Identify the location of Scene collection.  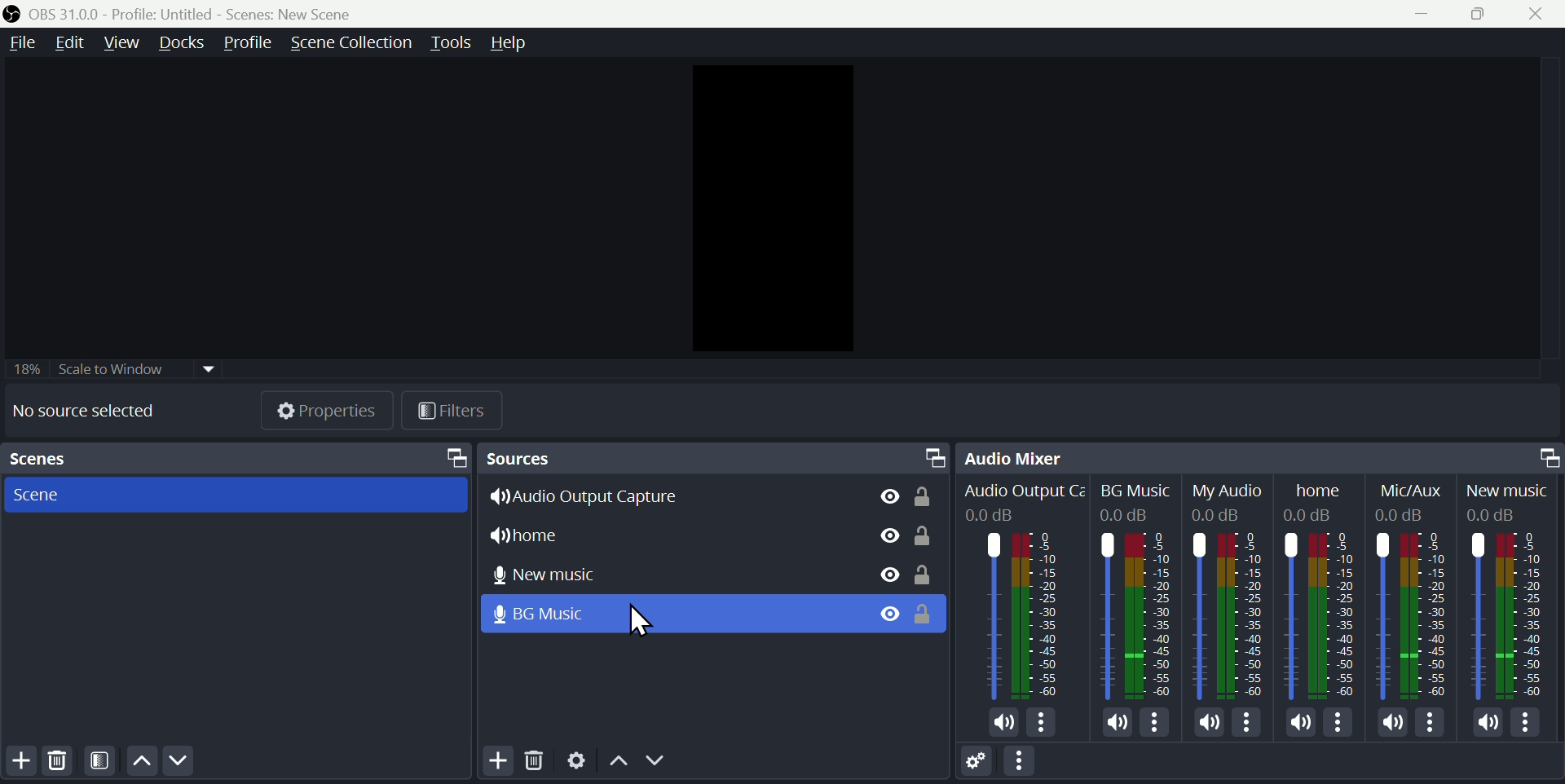
(355, 40).